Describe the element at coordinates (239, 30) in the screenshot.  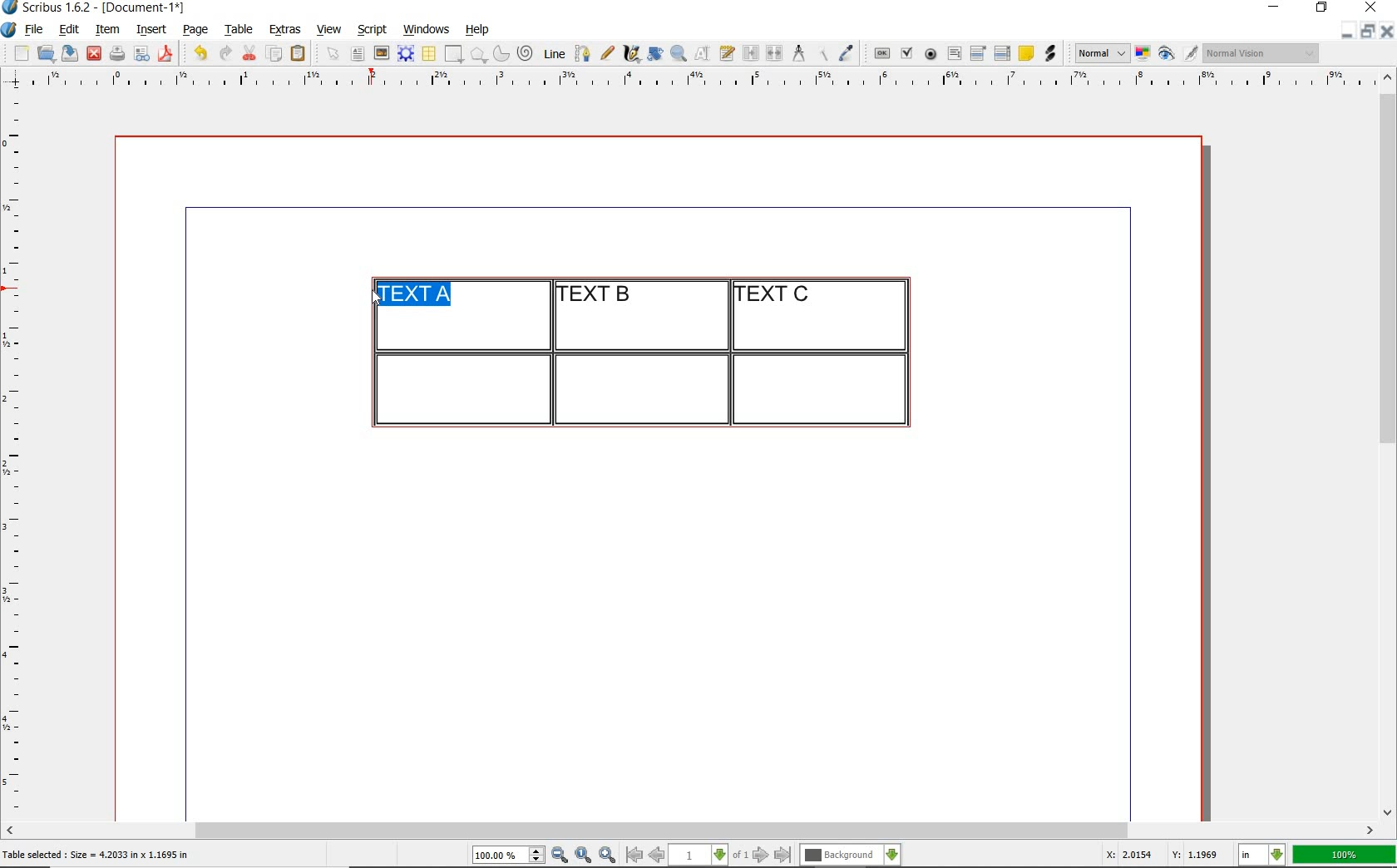
I see `table` at that location.